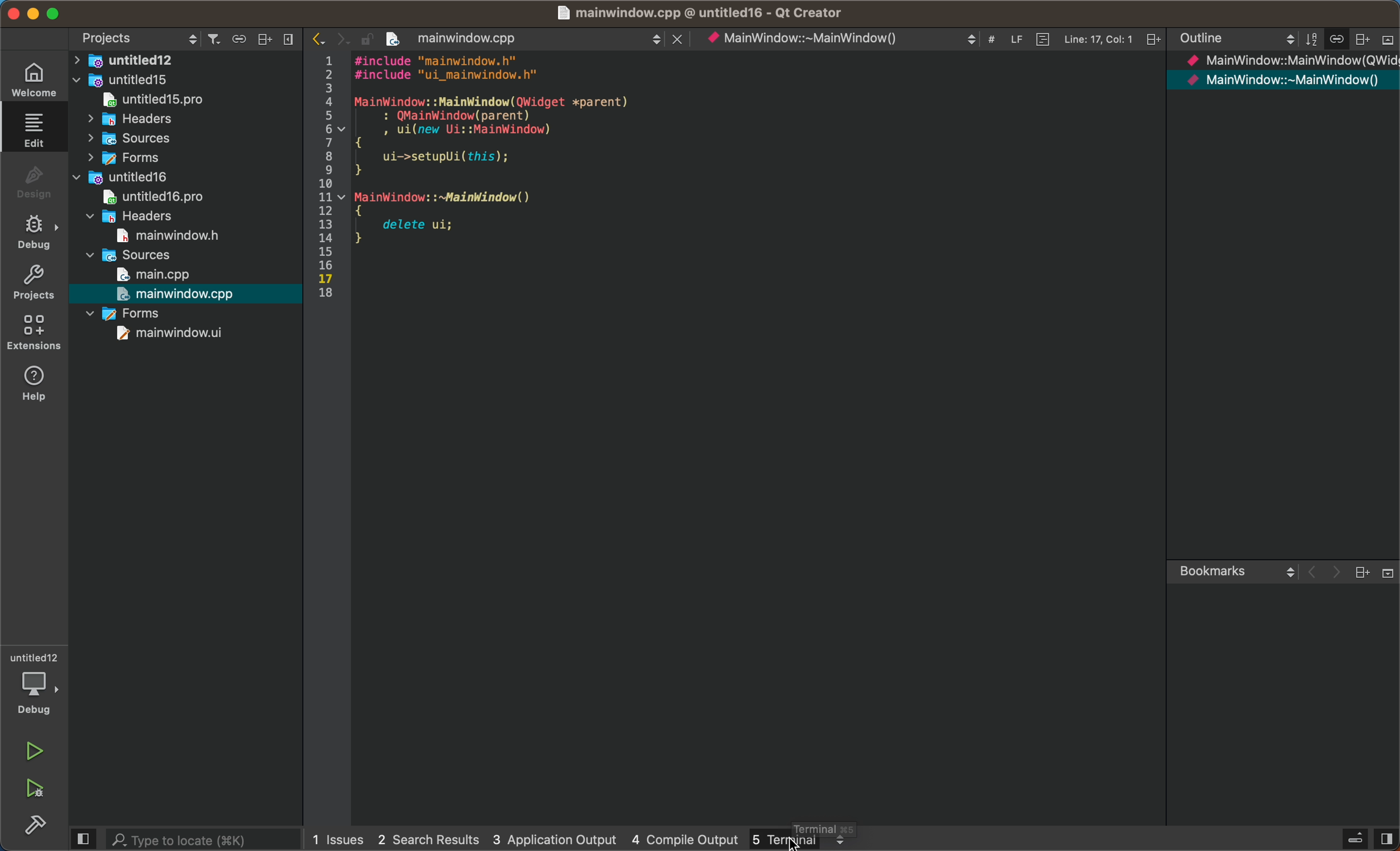  What do you see at coordinates (265, 40) in the screenshot?
I see `add file` at bounding box center [265, 40].